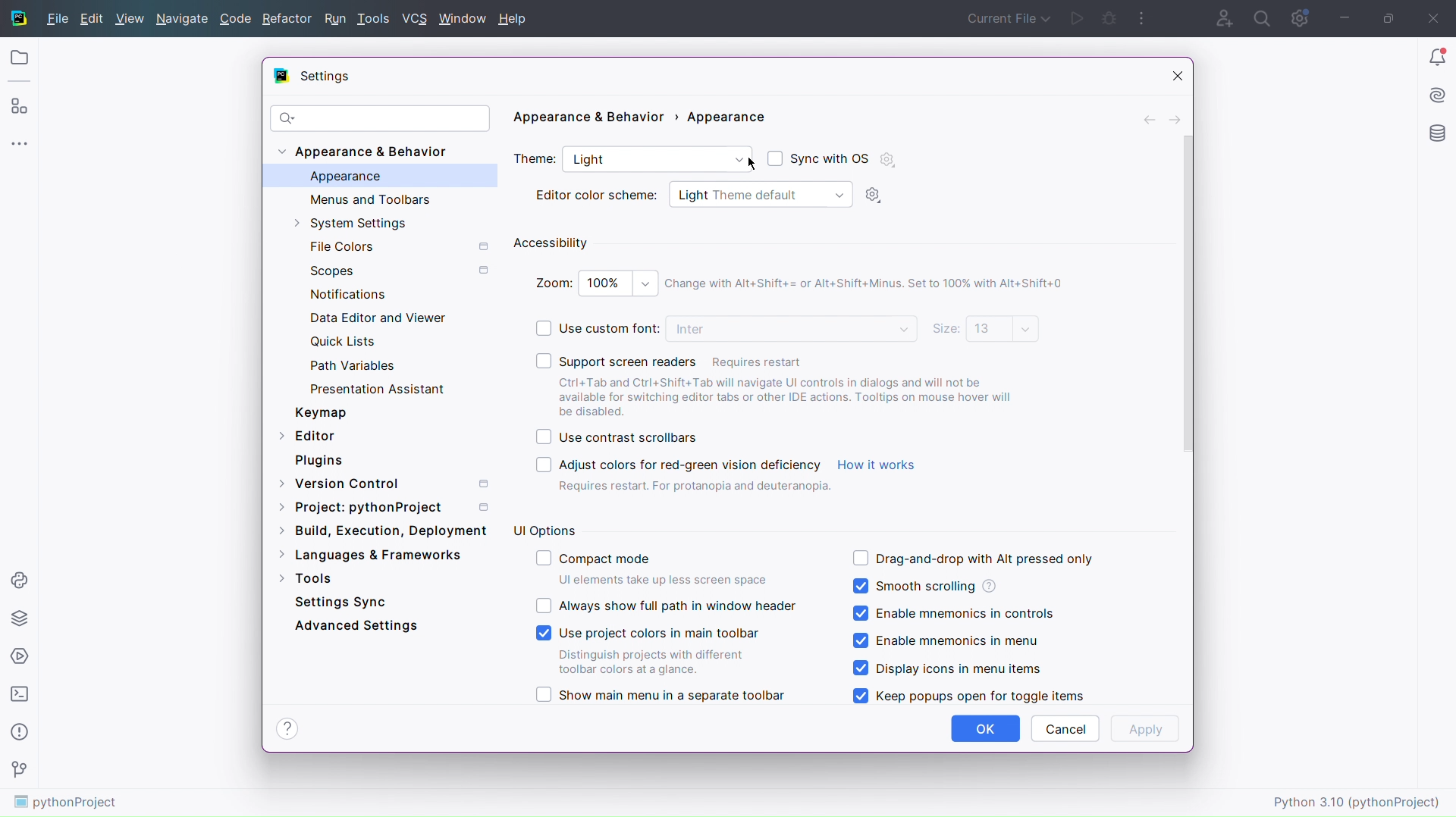 Image resolution: width=1456 pixels, height=817 pixels. Describe the element at coordinates (391, 481) in the screenshot. I see `Version Control` at that location.